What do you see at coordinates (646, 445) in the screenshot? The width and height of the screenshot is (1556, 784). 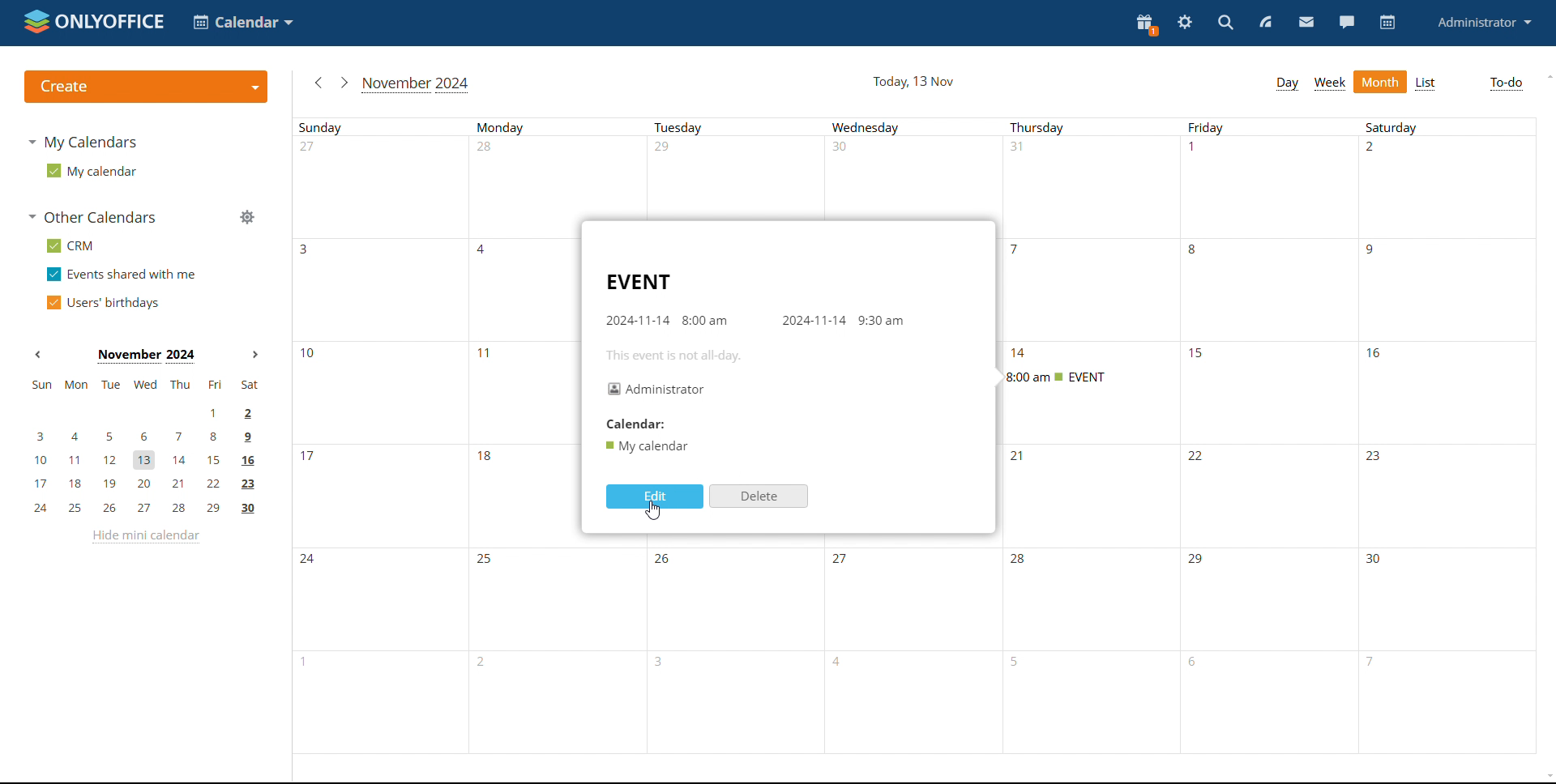 I see `meeting calendar` at bounding box center [646, 445].